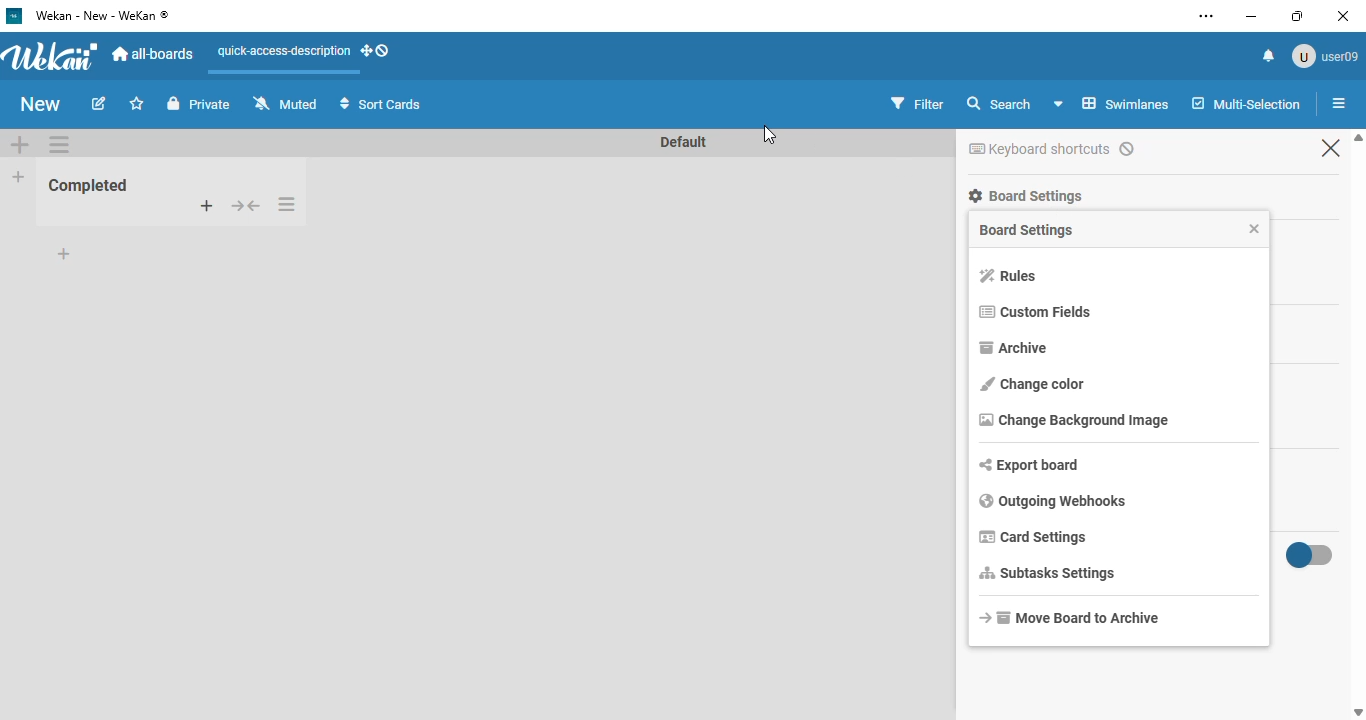 This screenshot has width=1366, height=720. I want to click on cursor, so click(770, 134).